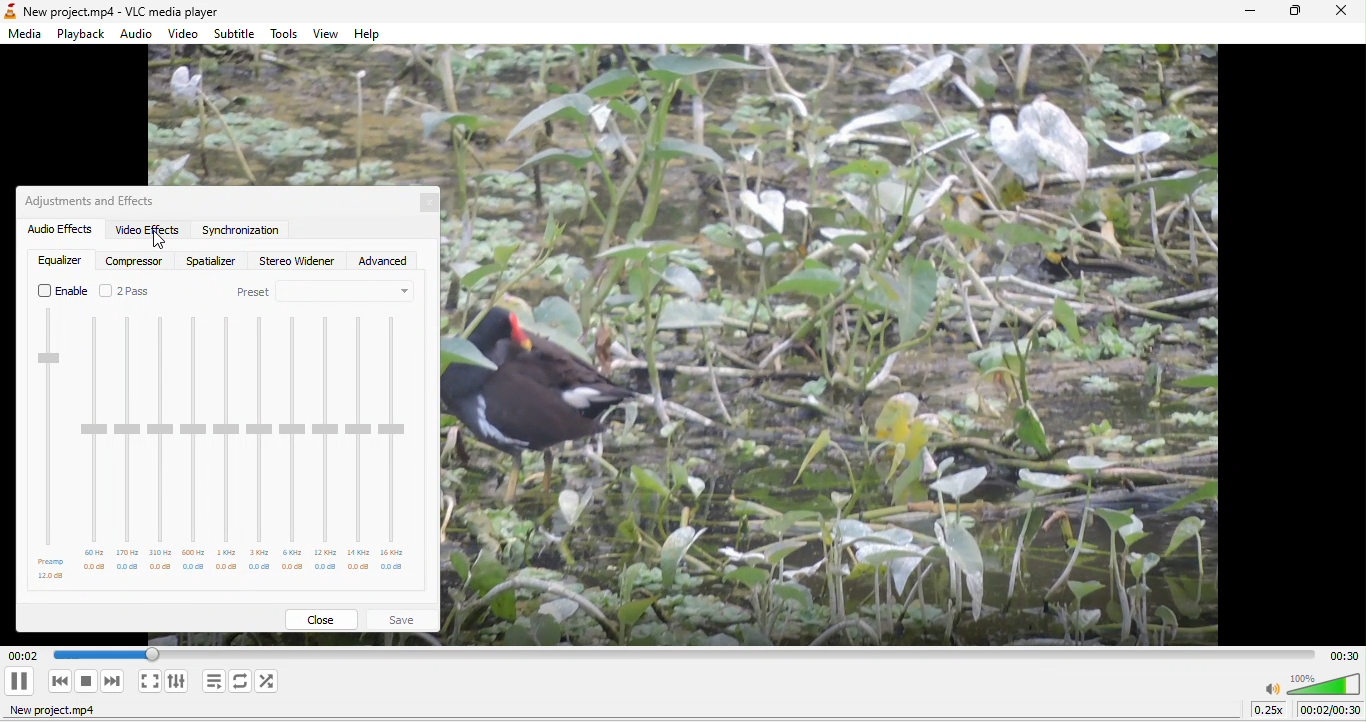 This screenshot has height=722, width=1366. What do you see at coordinates (158, 243) in the screenshot?
I see `cursor movement` at bounding box center [158, 243].